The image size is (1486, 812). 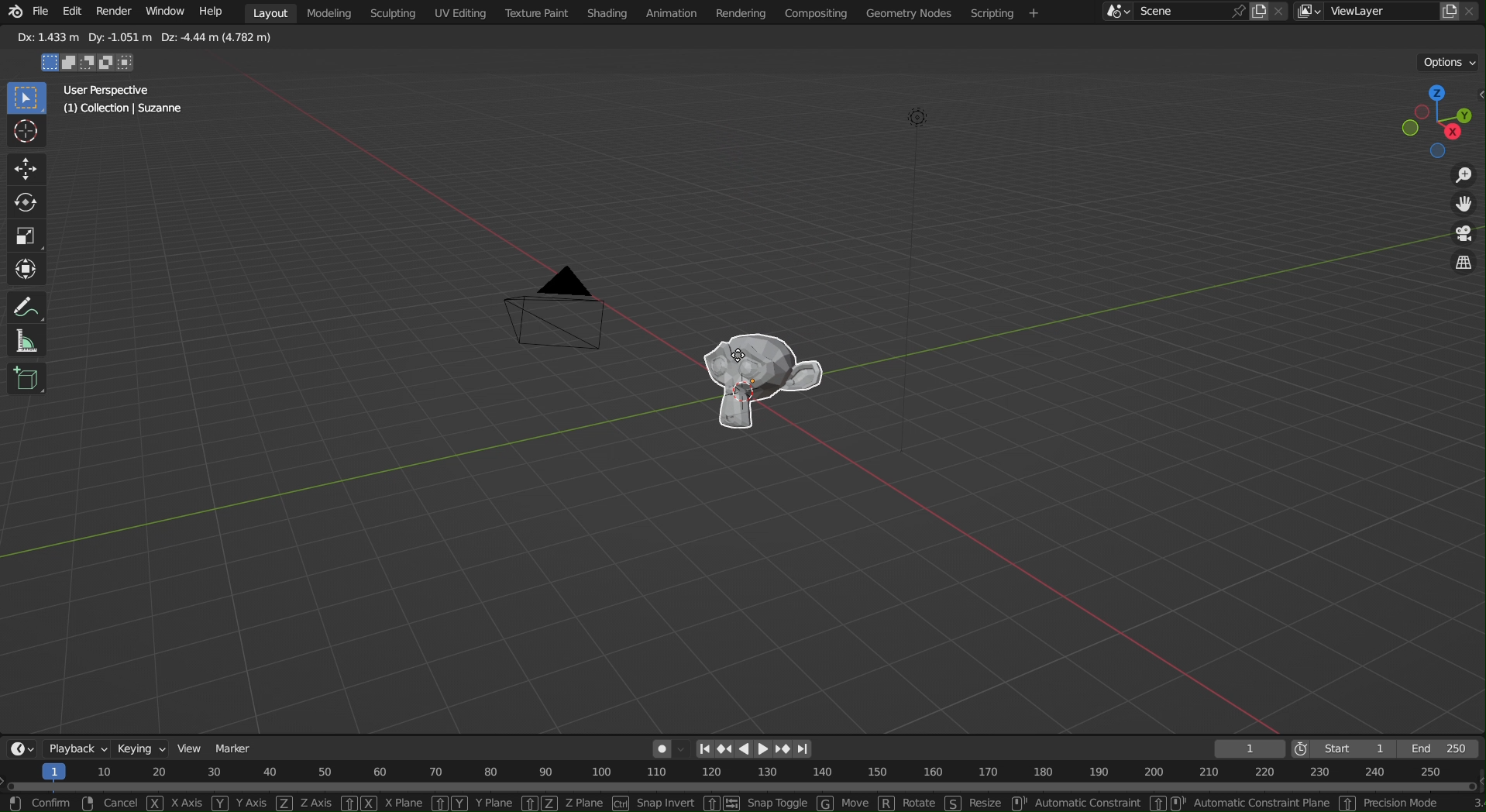 What do you see at coordinates (104, 89) in the screenshot?
I see `User Perspective` at bounding box center [104, 89].